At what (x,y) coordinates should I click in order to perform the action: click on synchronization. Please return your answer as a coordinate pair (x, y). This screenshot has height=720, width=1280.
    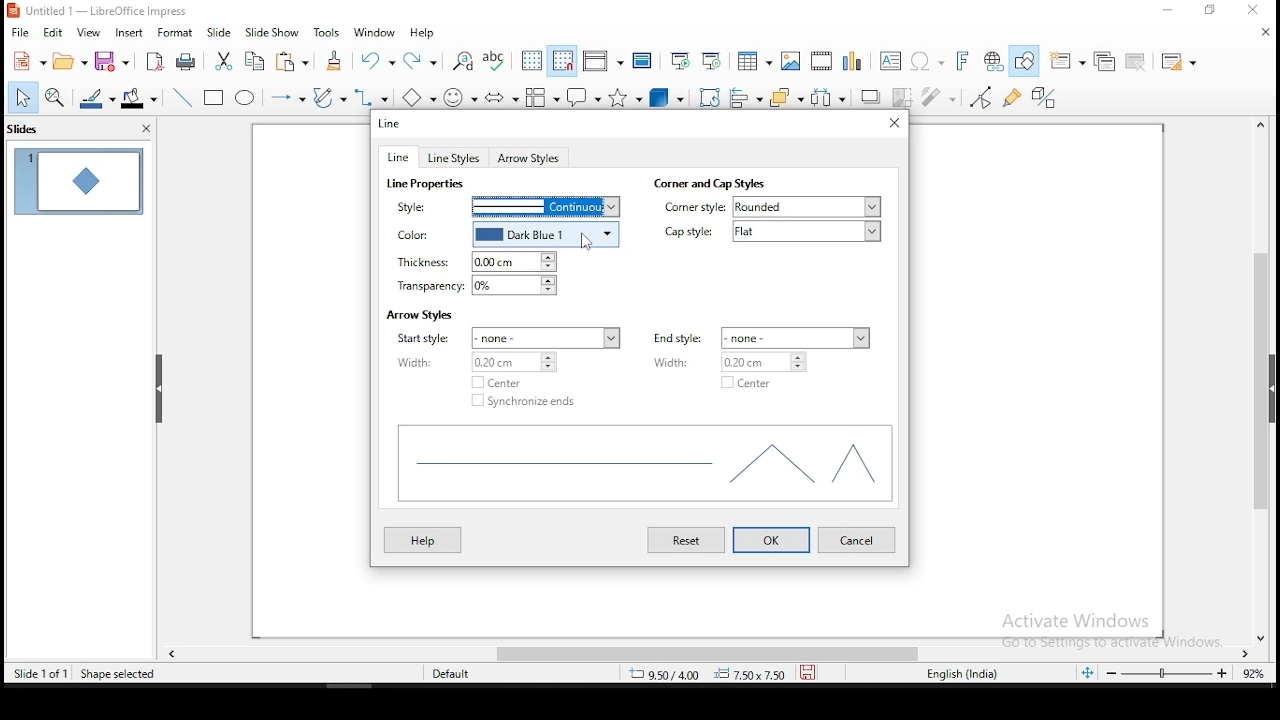
    Looking at the image, I should click on (528, 401).